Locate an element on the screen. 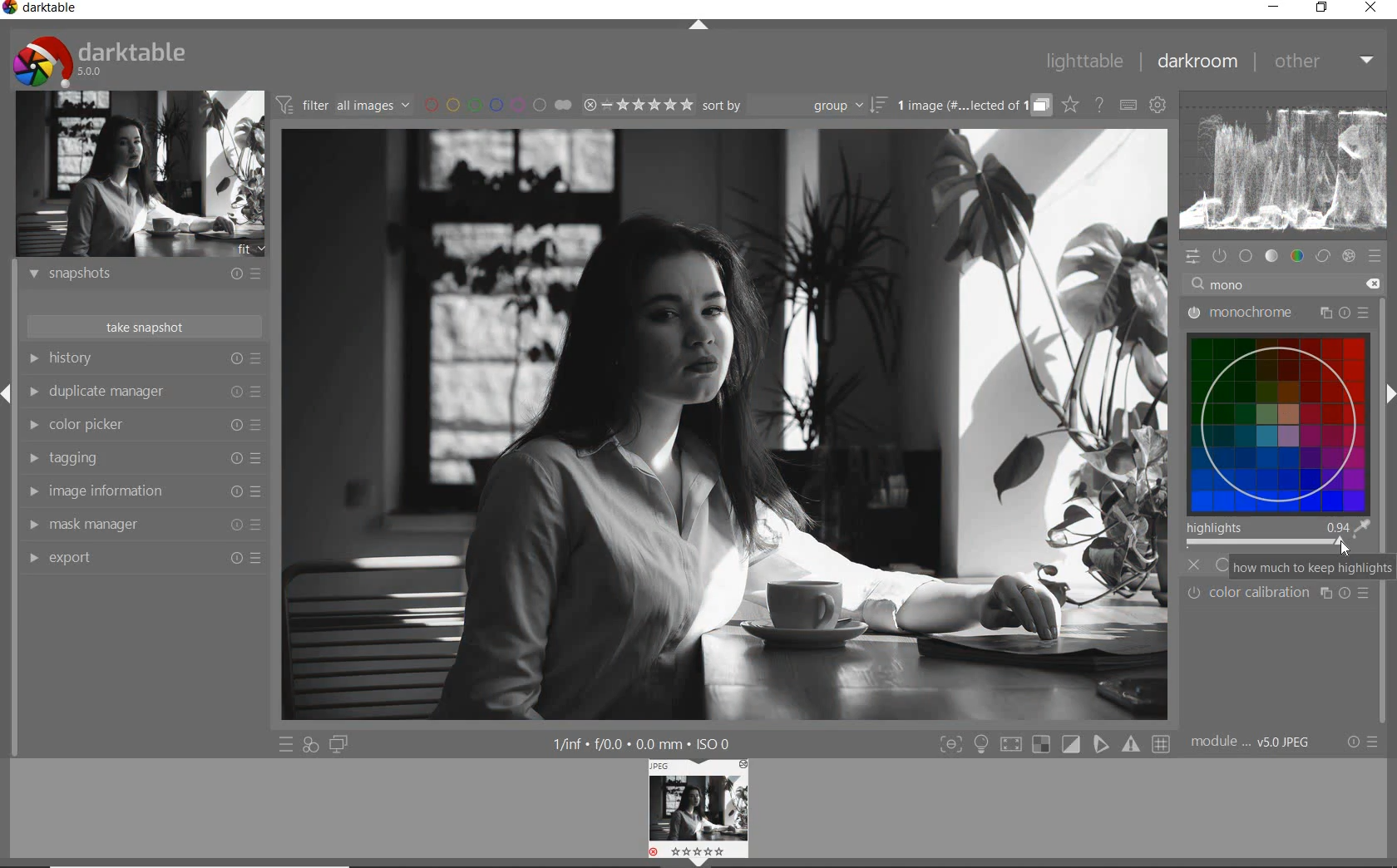  how much to keep highlights is located at coordinates (1305, 566).